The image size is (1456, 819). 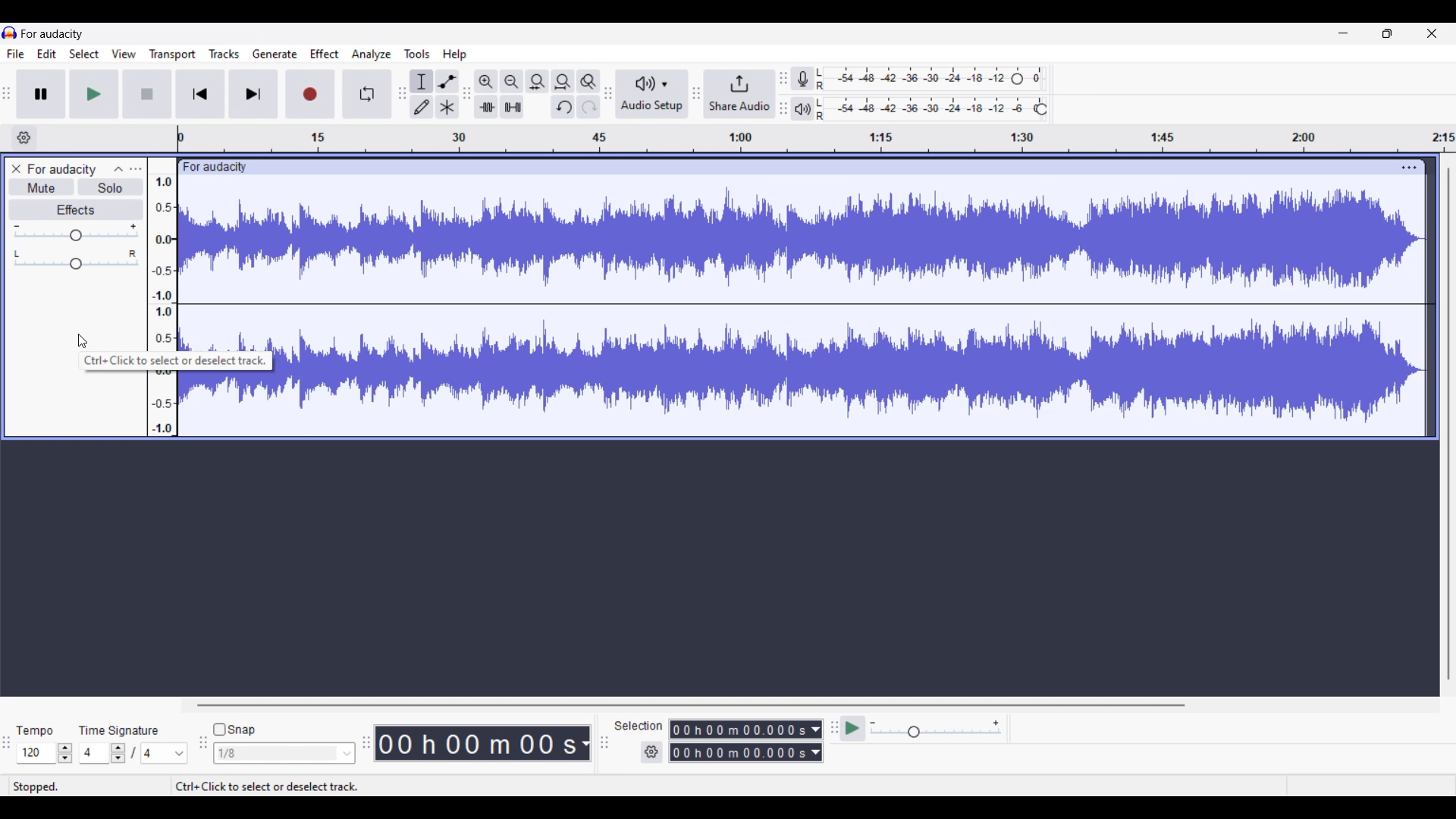 I want to click on Share audio, so click(x=739, y=93).